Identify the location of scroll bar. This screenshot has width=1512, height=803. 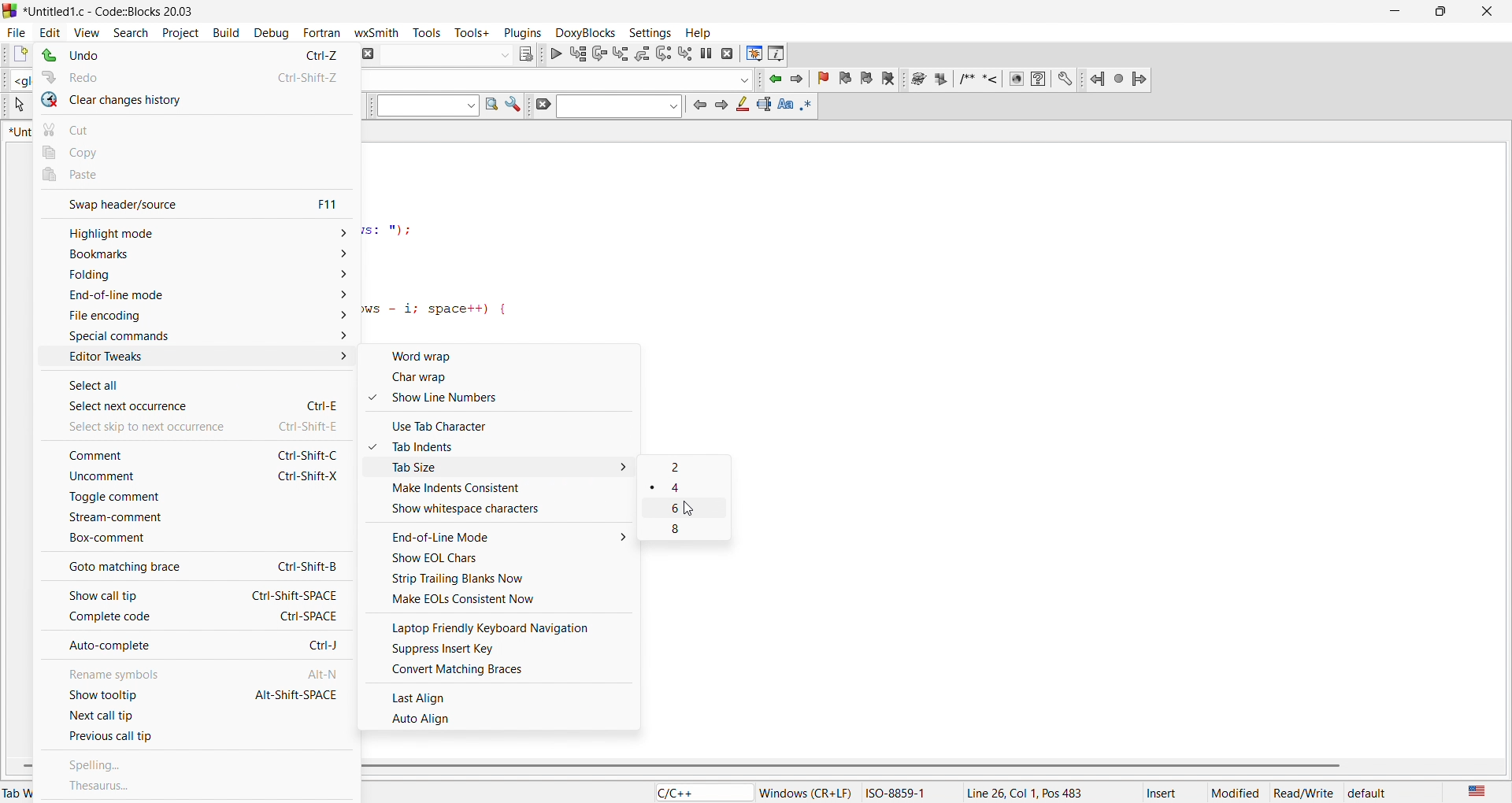
(925, 766).